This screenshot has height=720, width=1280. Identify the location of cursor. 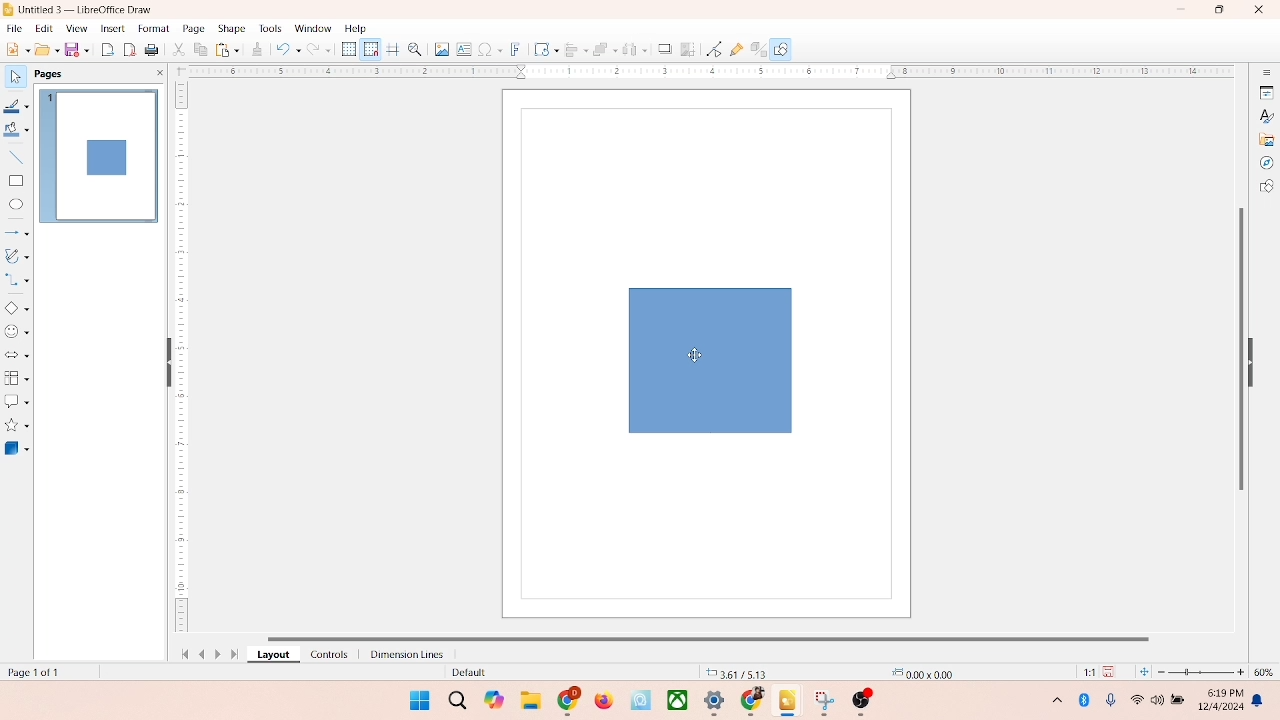
(696, 354).